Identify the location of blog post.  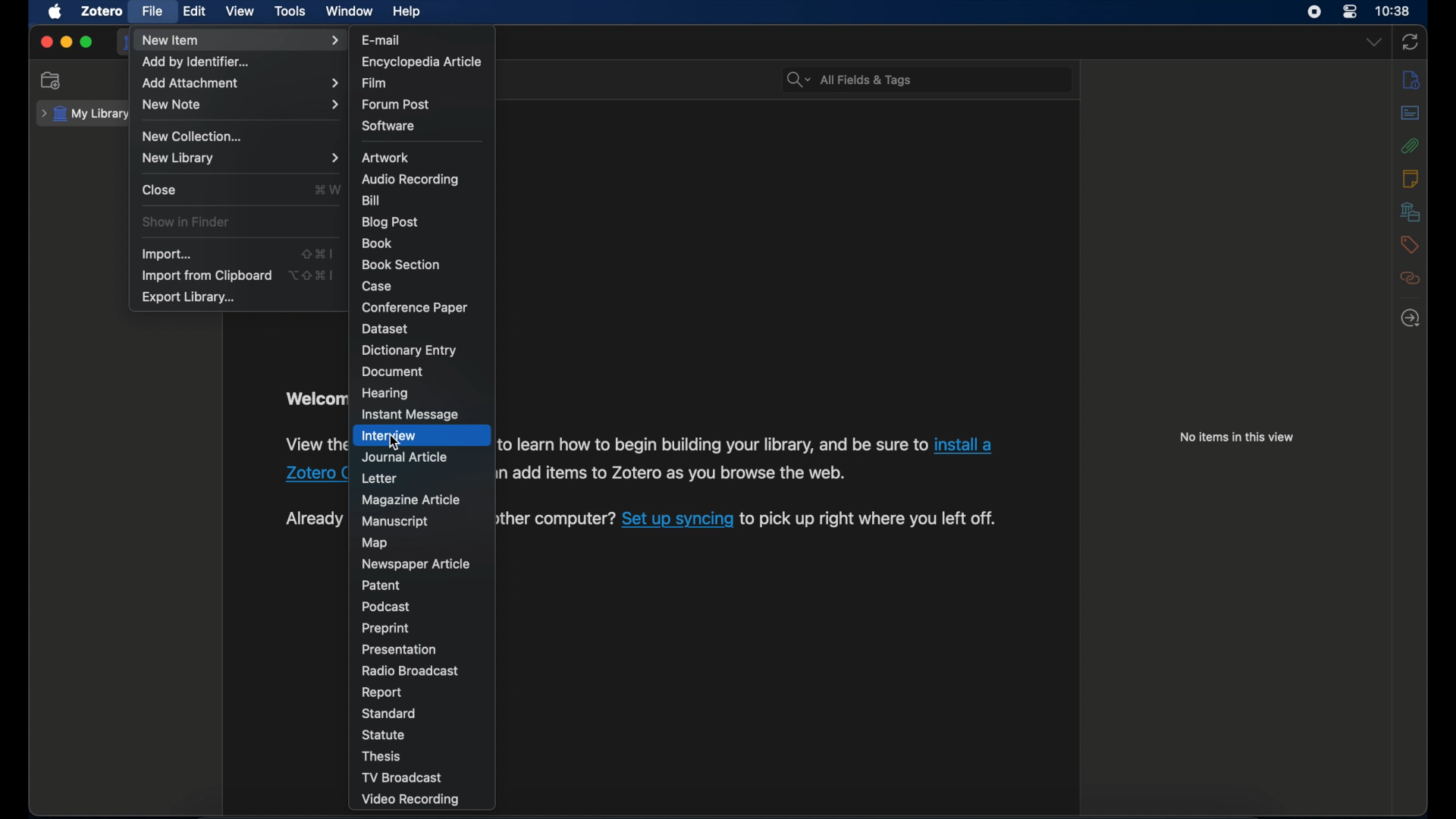
(391, 222).